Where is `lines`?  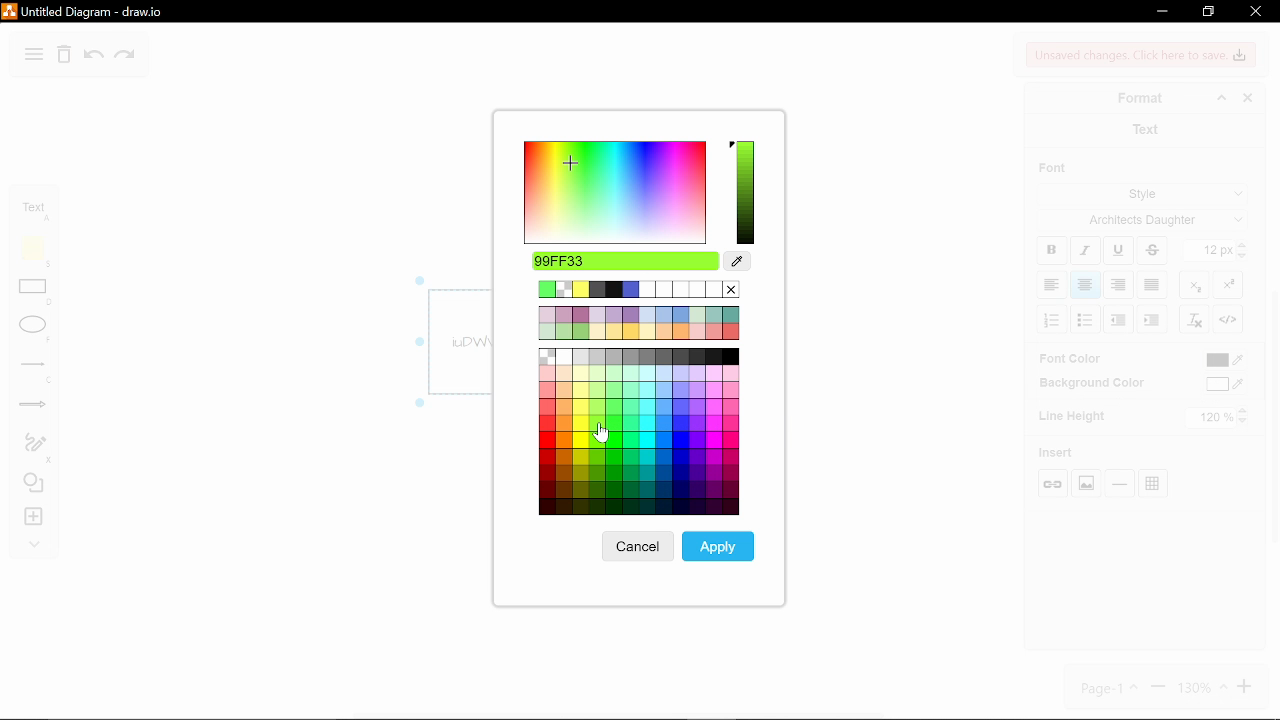 lines is located at coordinates (27, 368).